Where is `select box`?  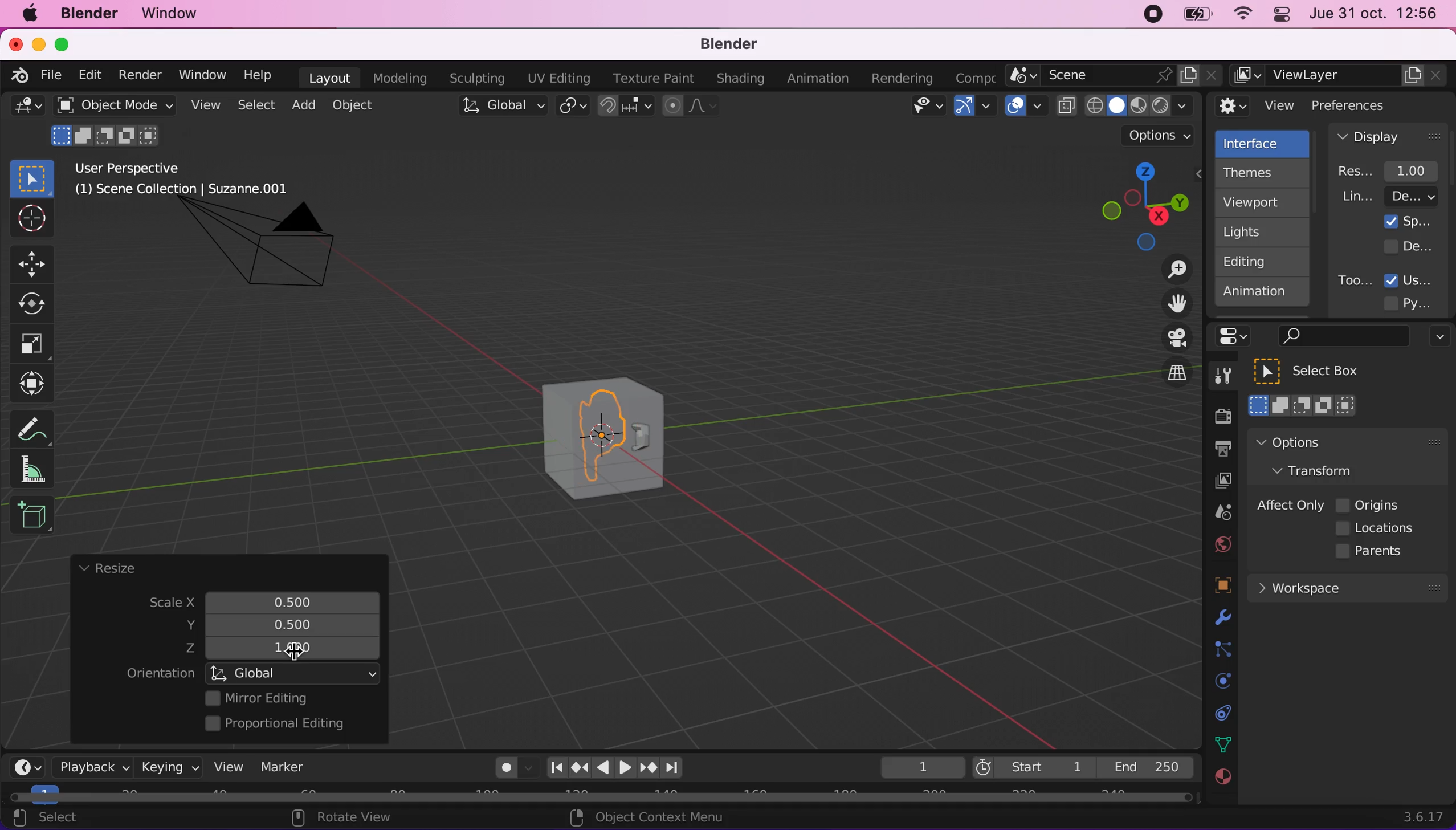
select box is located at coordinates (32, 178).